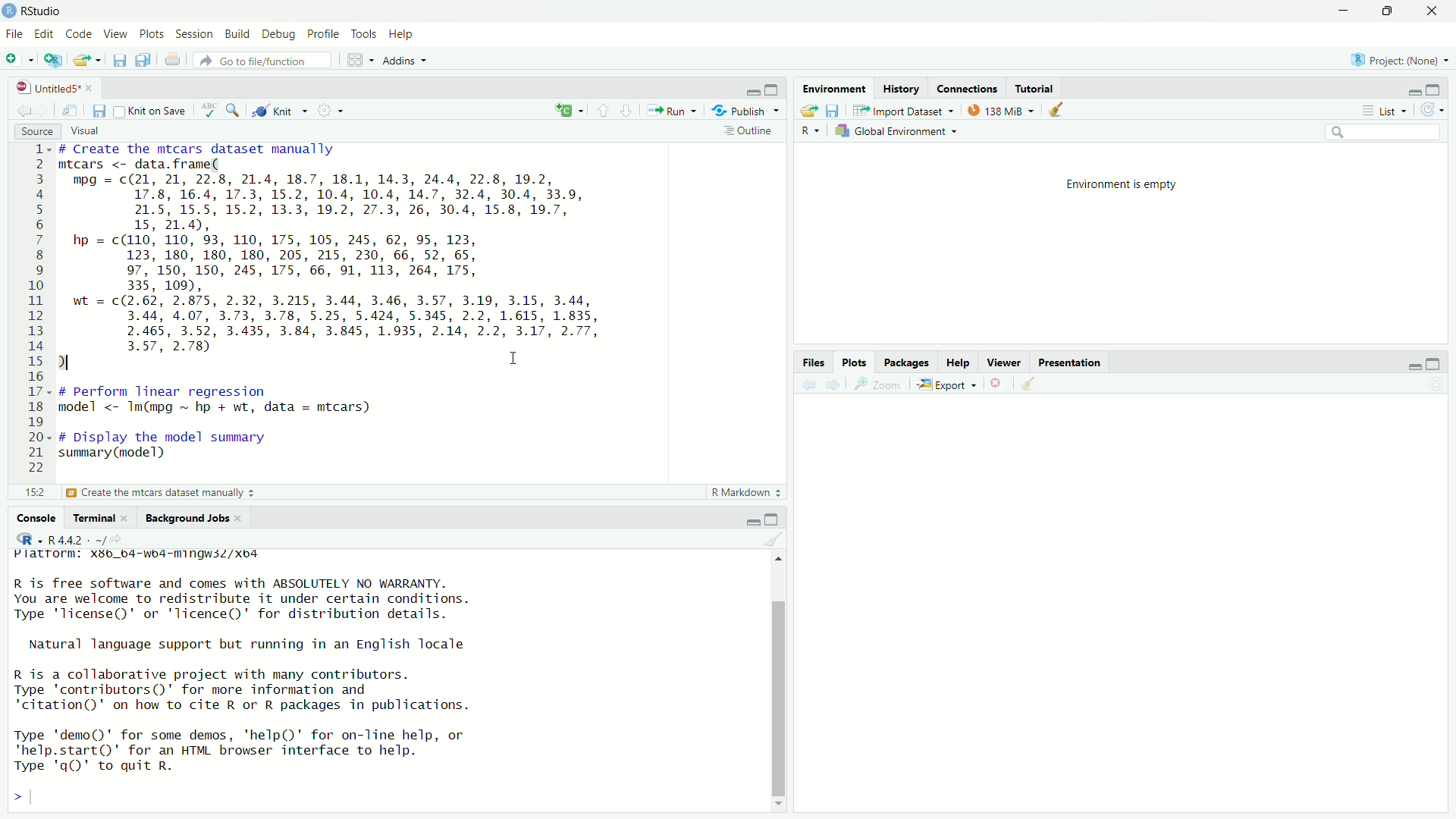  Describe the element at coordinates (774, 517) in the screenshot. I see `maximize` at that location.